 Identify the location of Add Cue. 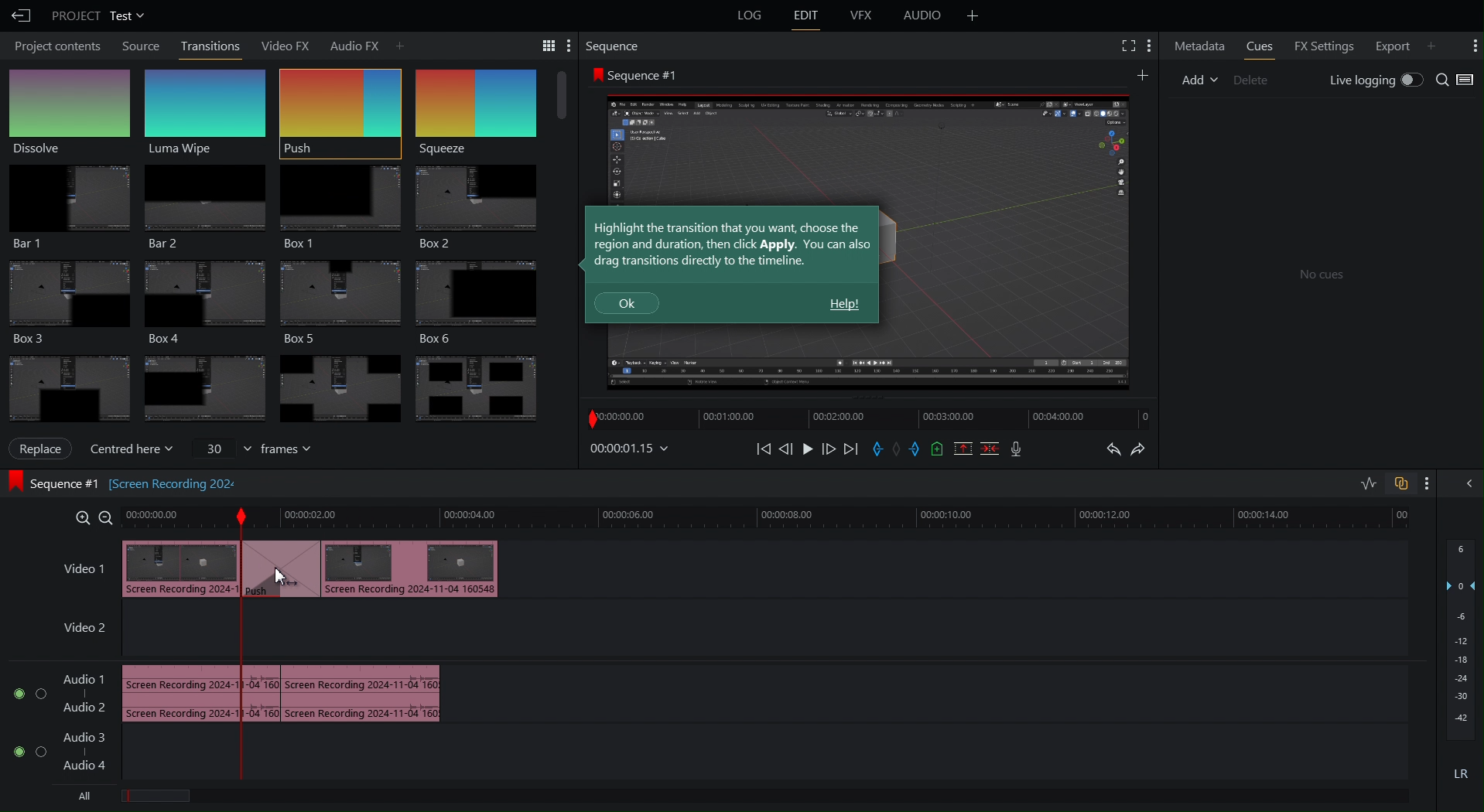
(938, 449).